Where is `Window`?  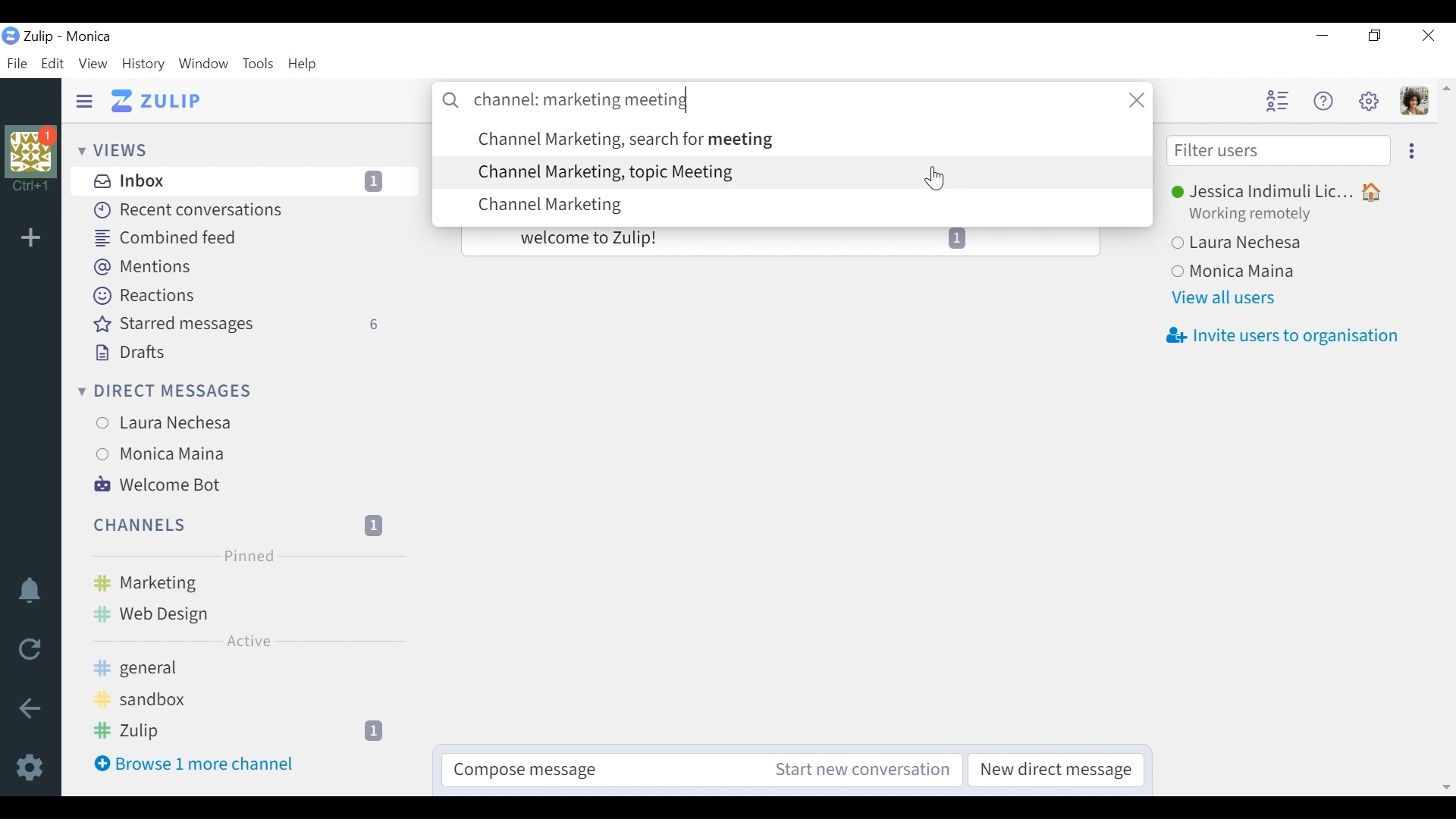 Window is located at coordinates (204, 64).